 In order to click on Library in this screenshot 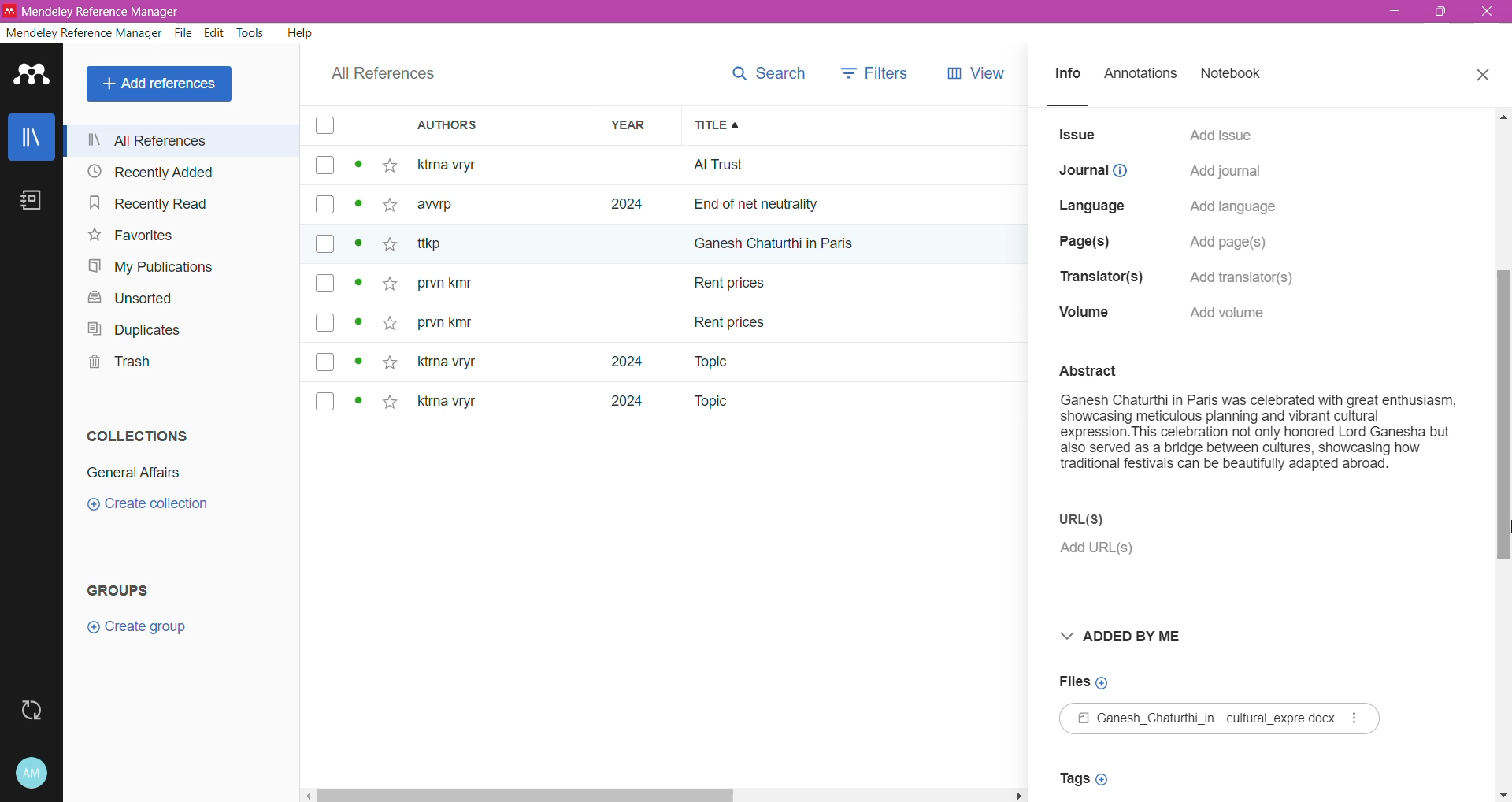, I will do `click(31, 136)`.